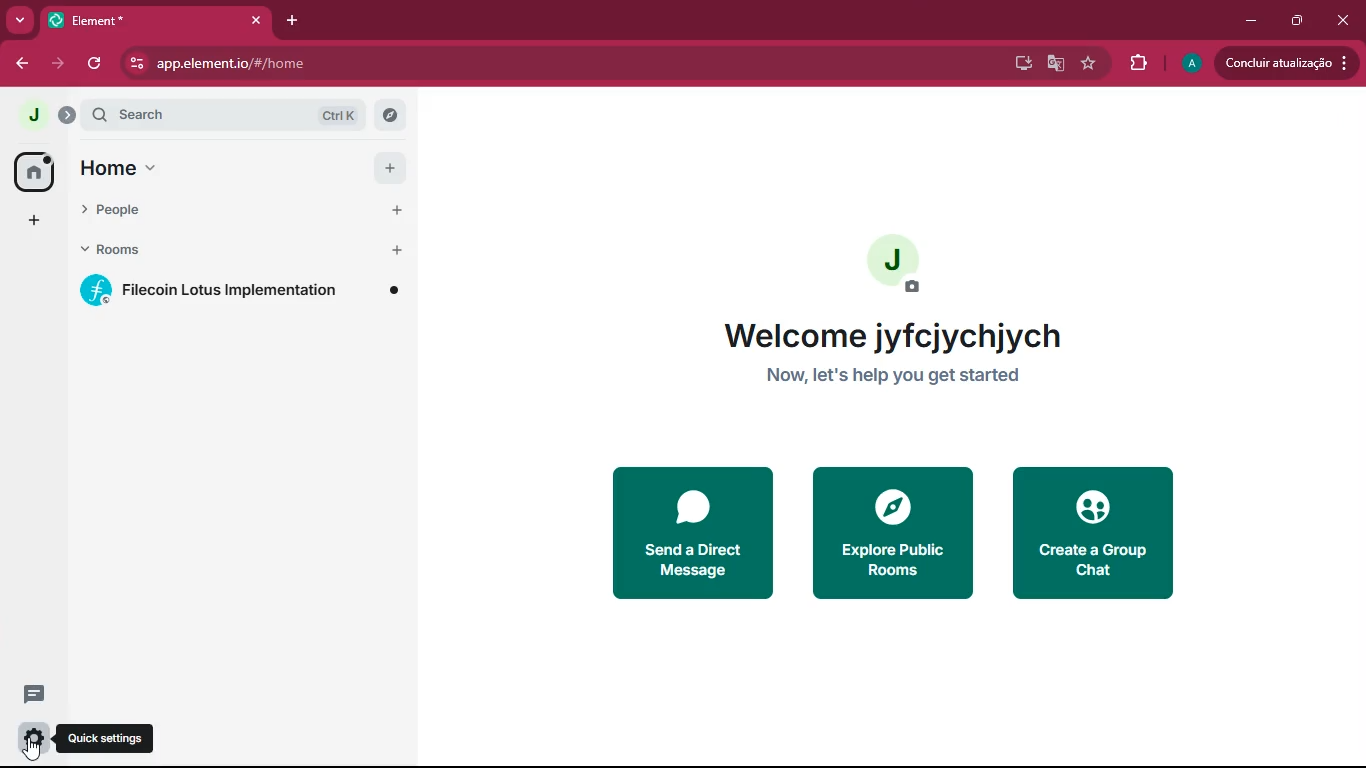  What do you see at coordinates (897, 335) in the screenshot?
I see `welcome jyfcjychjych` at bounding box center [897, 335].